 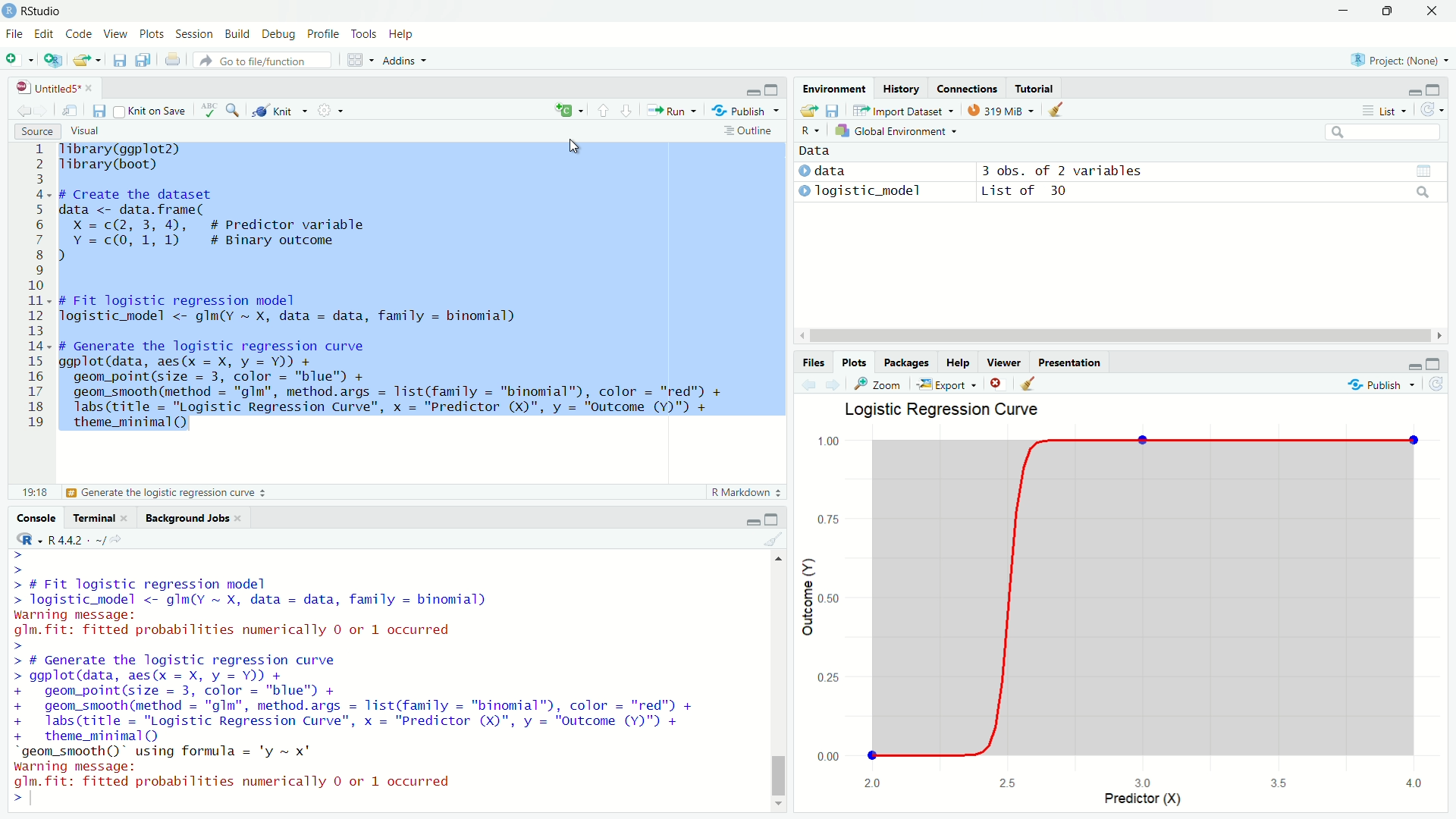 I want to click on Search bar, so click(x=1384, y=133).